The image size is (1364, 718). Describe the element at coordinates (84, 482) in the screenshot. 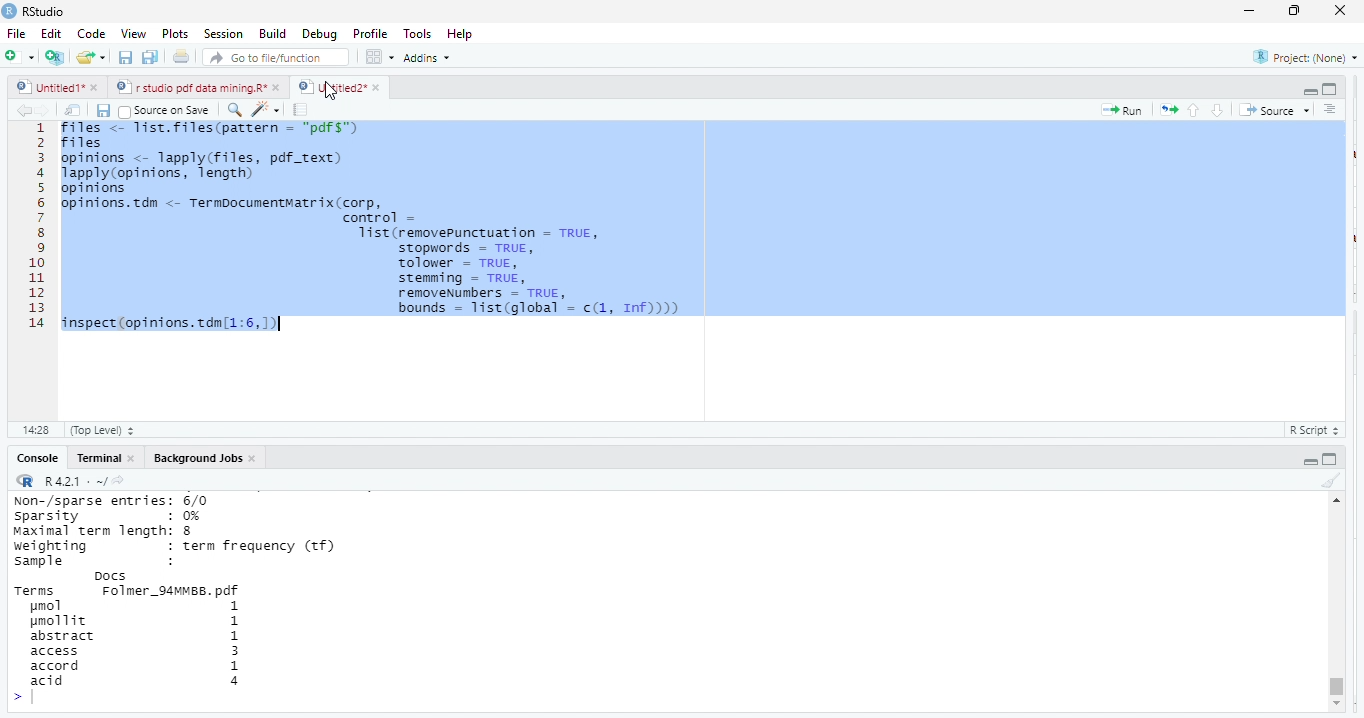

I see `R421: ~/` at that location.